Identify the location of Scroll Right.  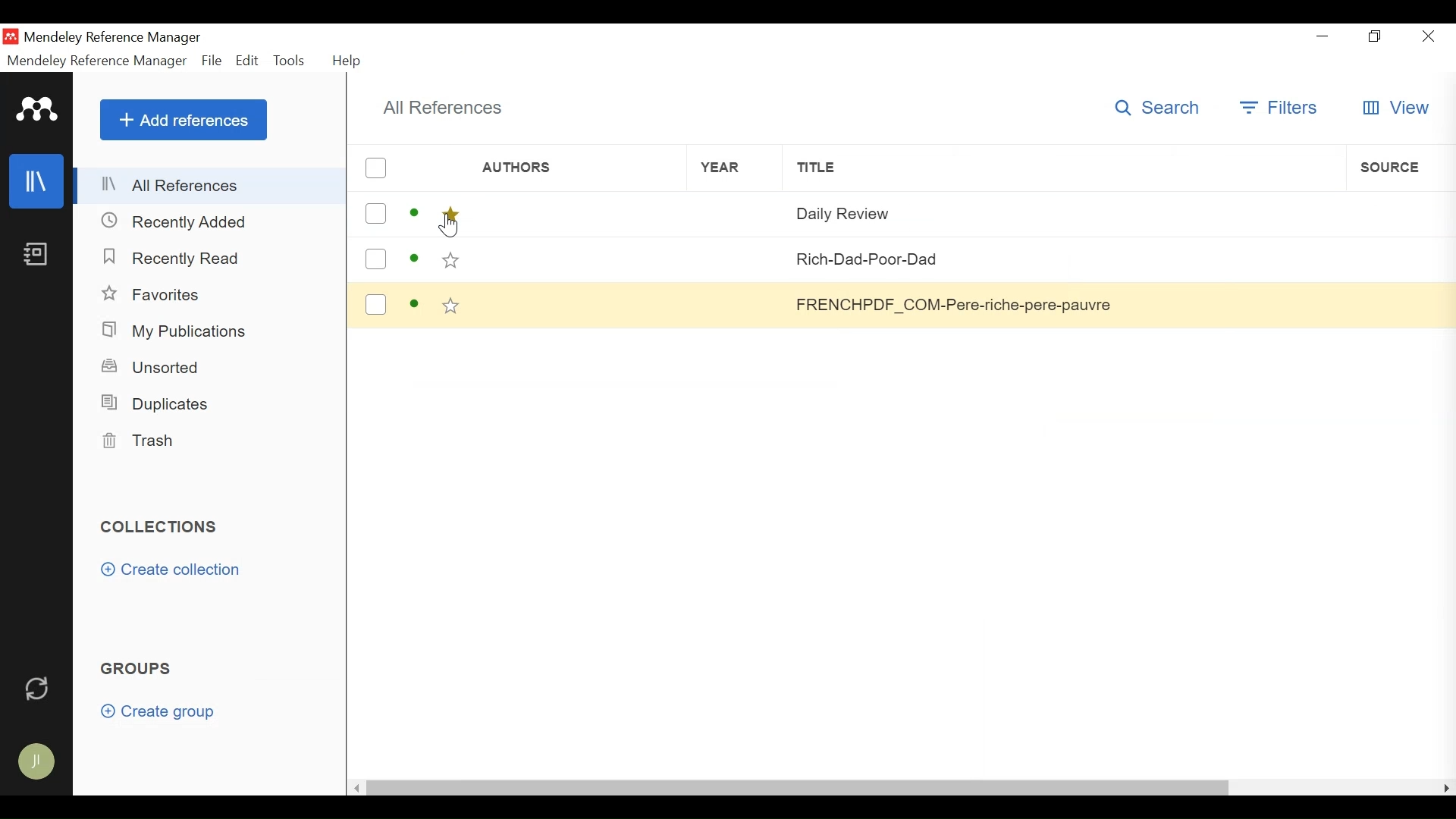
(1446, 787).